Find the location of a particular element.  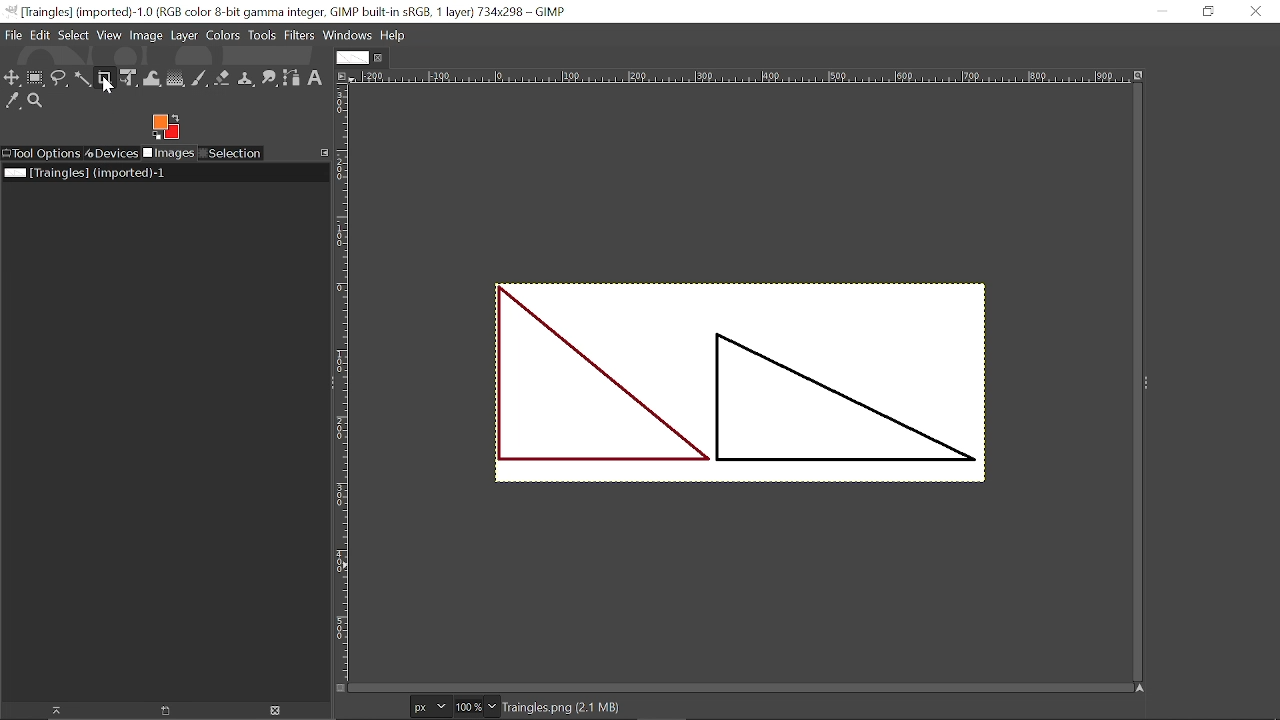

Vertical ruler is located at coordinates (342, 381).